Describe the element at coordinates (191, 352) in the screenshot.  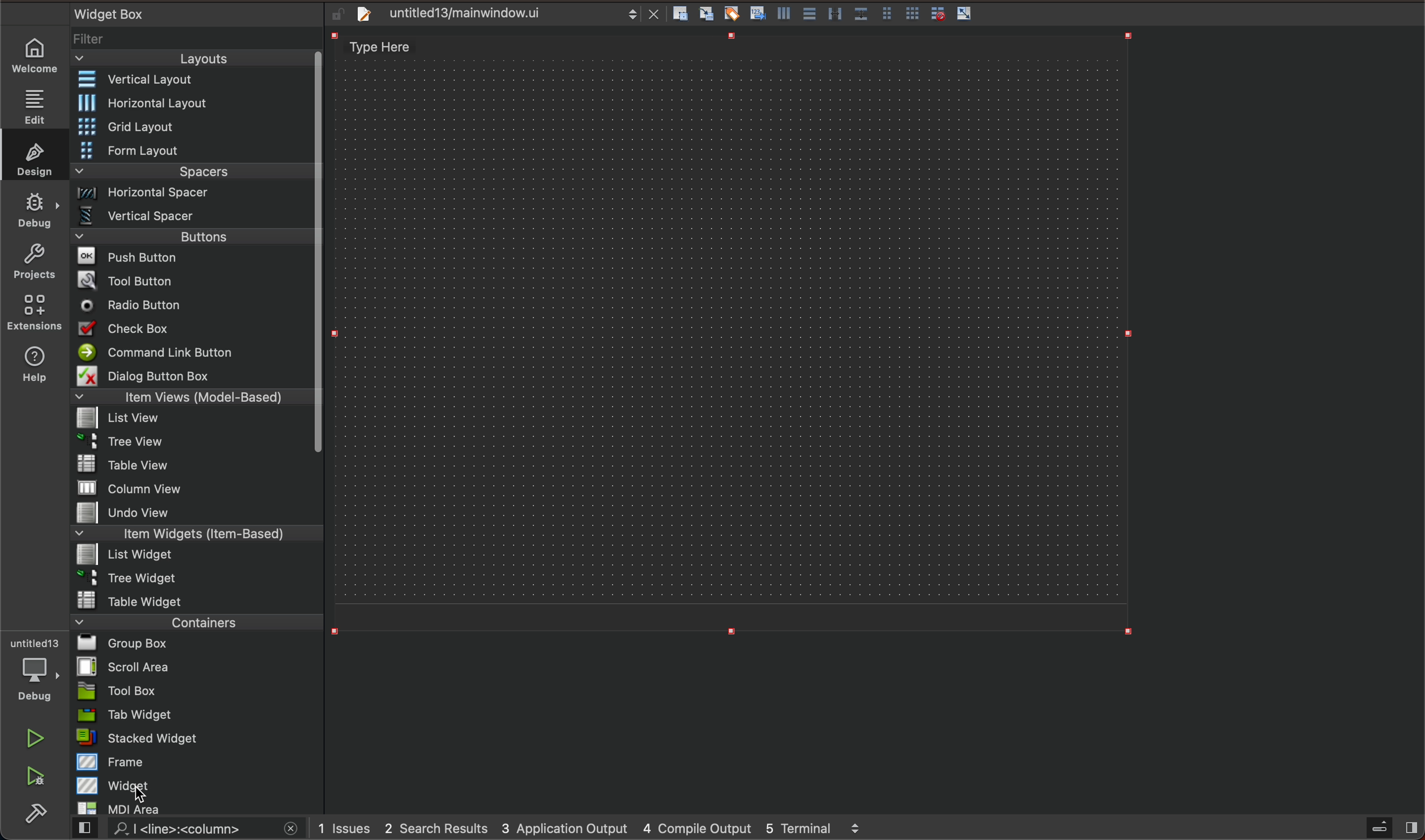
I see `command line button` at that location.